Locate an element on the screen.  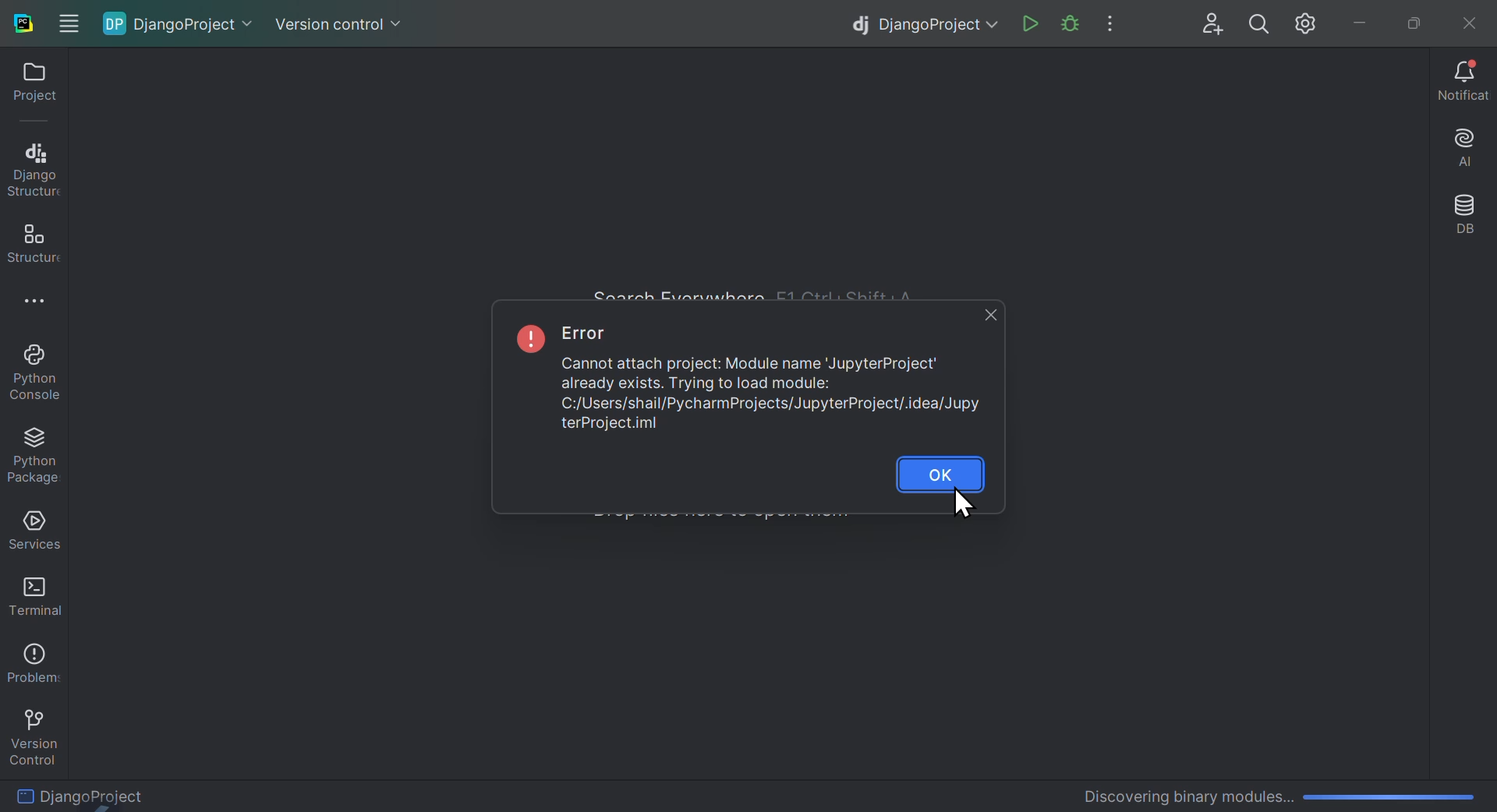
Services is located at coordinates (31, 531).